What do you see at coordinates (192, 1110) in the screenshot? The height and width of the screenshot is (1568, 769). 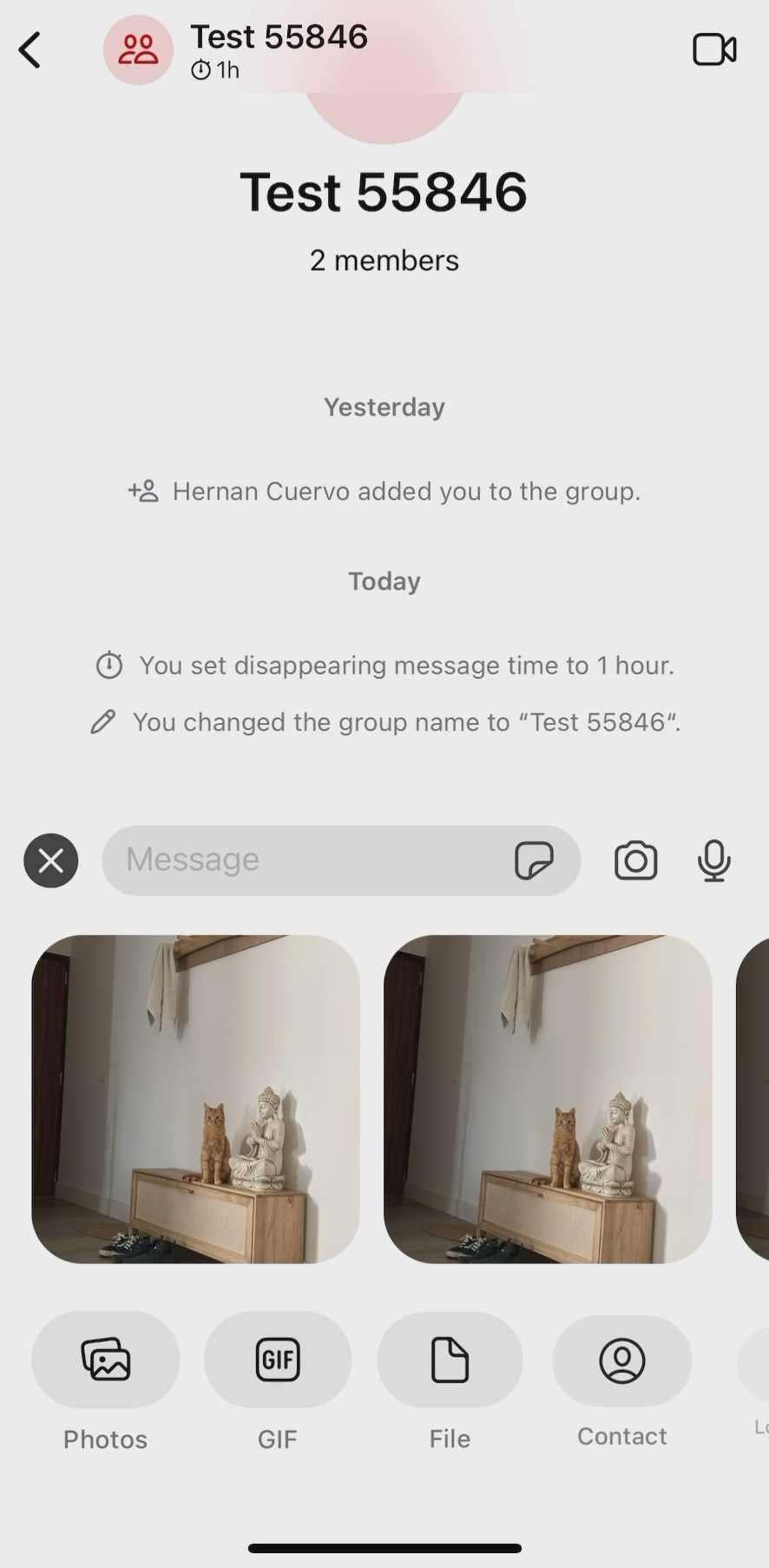 I see `image` at bounding box center [192, 1110].